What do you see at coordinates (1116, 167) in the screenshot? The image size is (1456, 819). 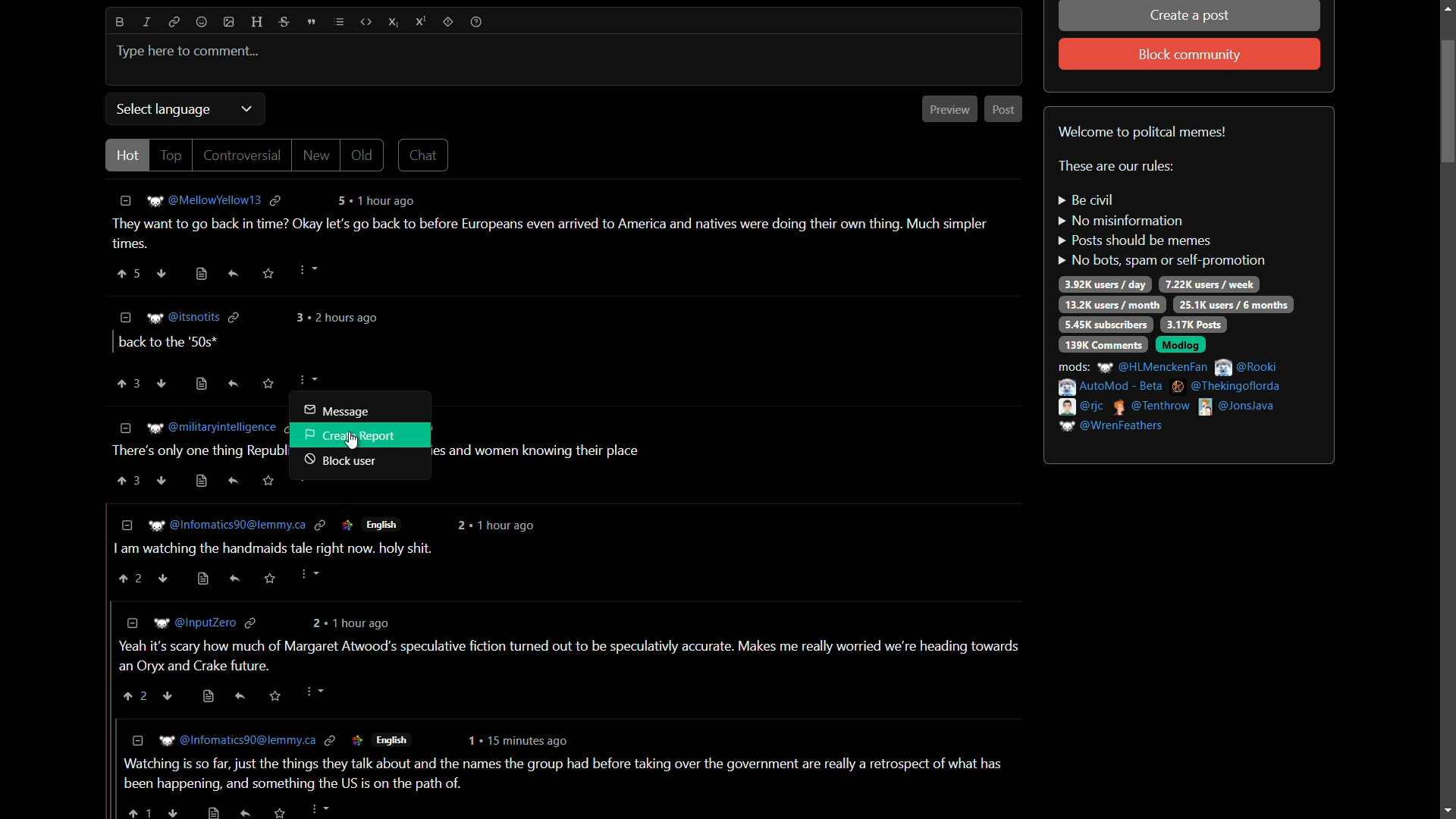 I see `text` at bounding box center [1116, 167].